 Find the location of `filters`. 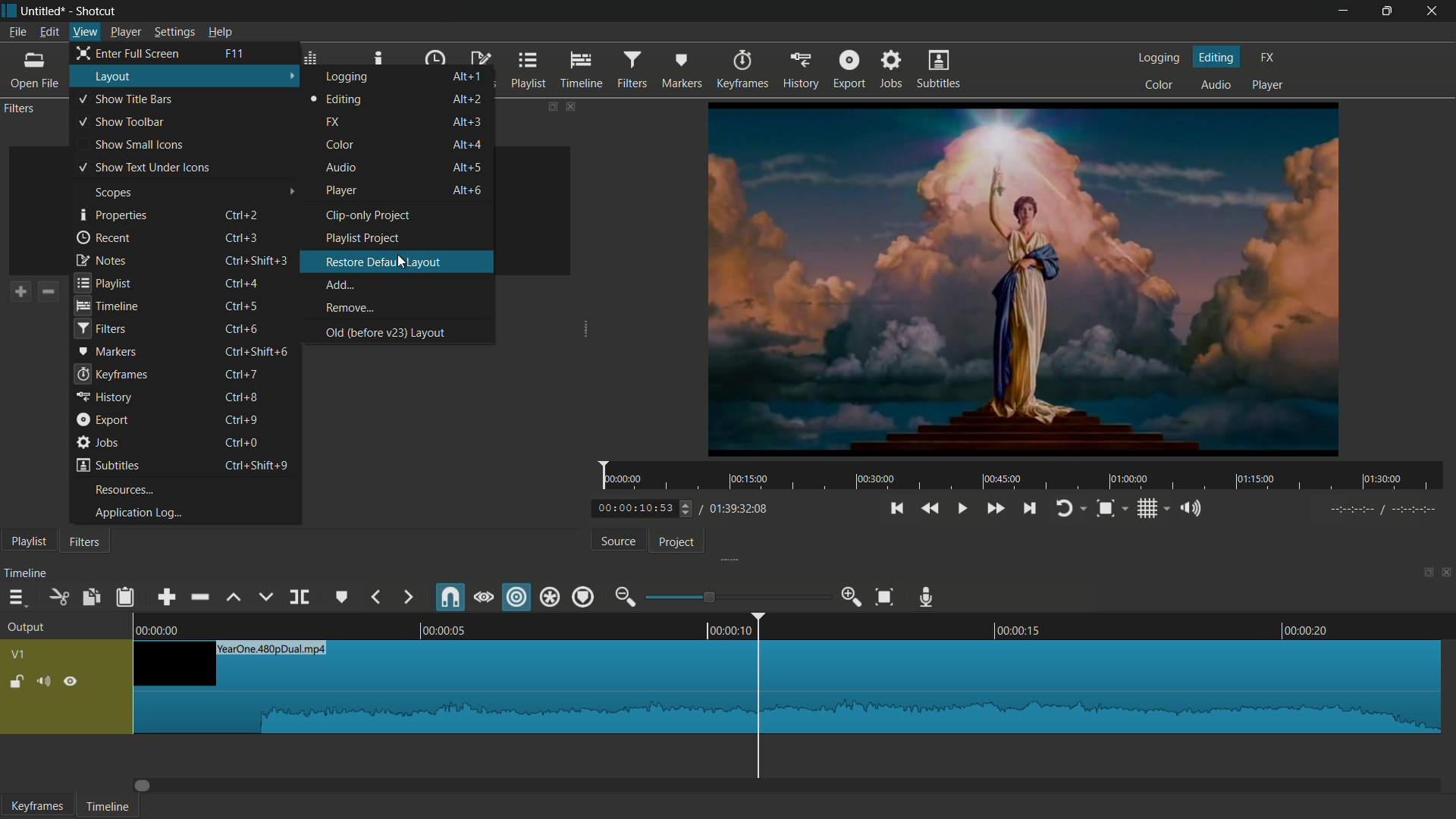

filters is located at coordinates (634, 69).